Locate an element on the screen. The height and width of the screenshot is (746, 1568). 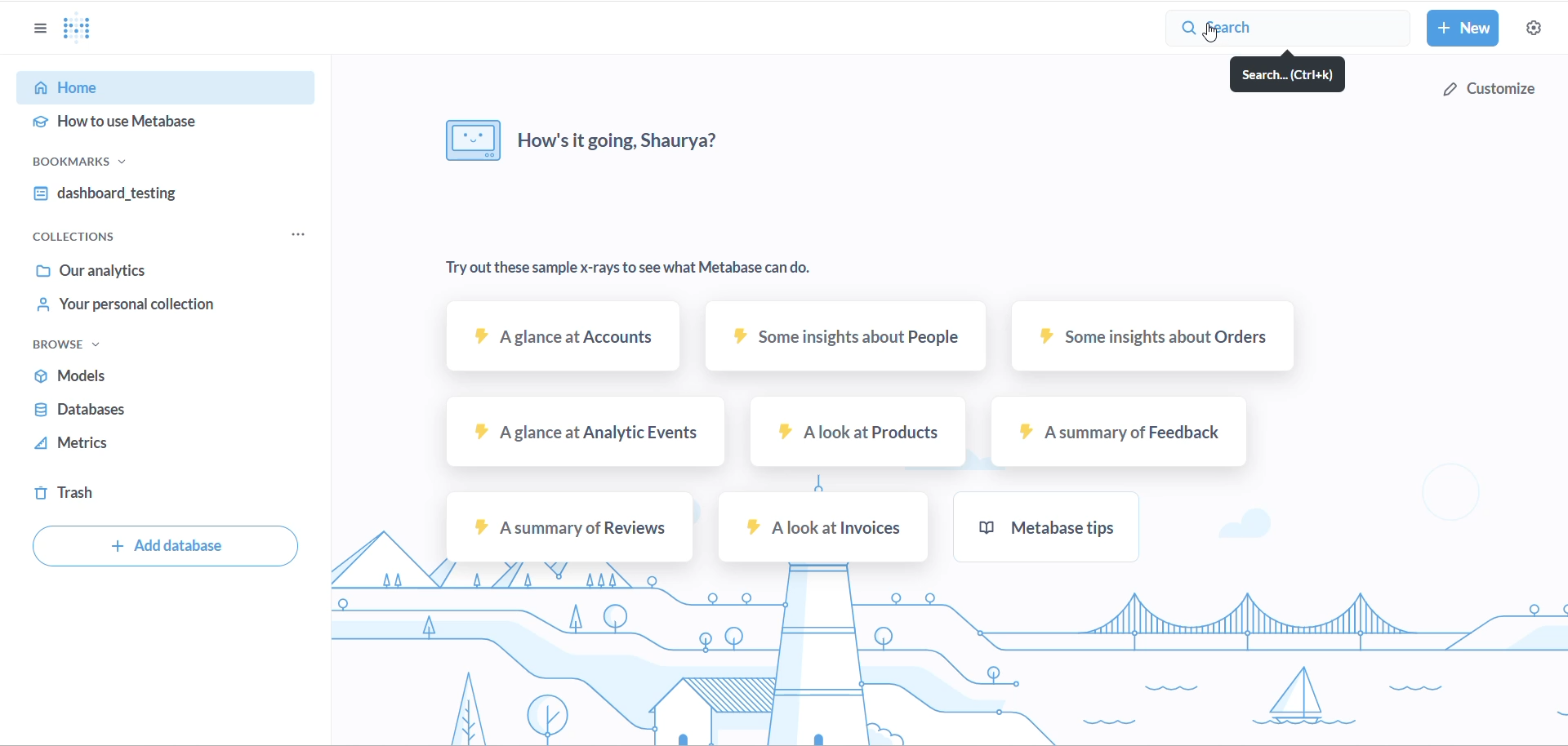
dashboard  is located at coordinates (158, 196).